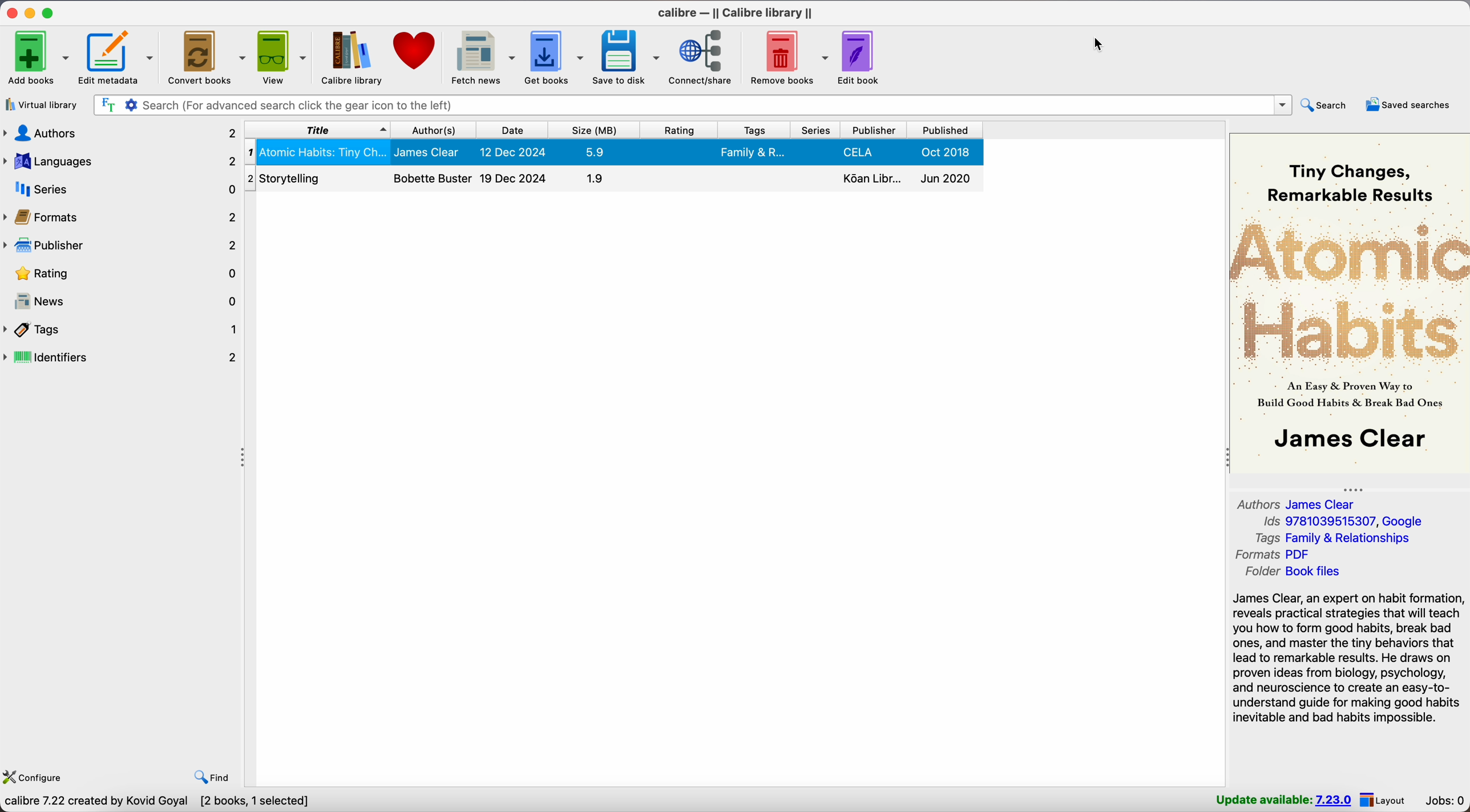 The width and height of the screenshot is (1470, 812). What do you see at coordinates (119, 58) in the screenshot?
I see `edit metadata` at bounding box center [119, 58].